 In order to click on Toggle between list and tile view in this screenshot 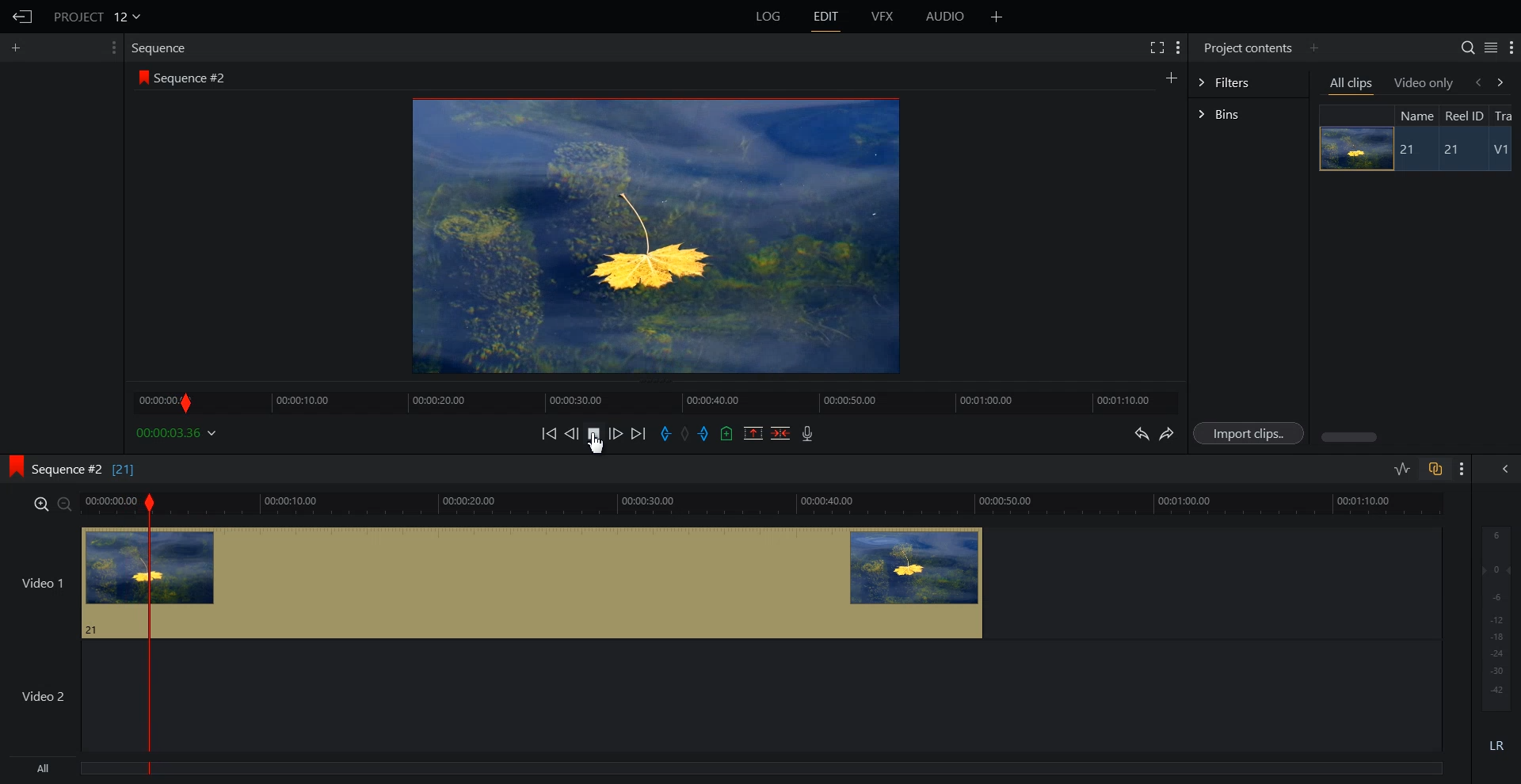, I will do `click(1491, 48)`.